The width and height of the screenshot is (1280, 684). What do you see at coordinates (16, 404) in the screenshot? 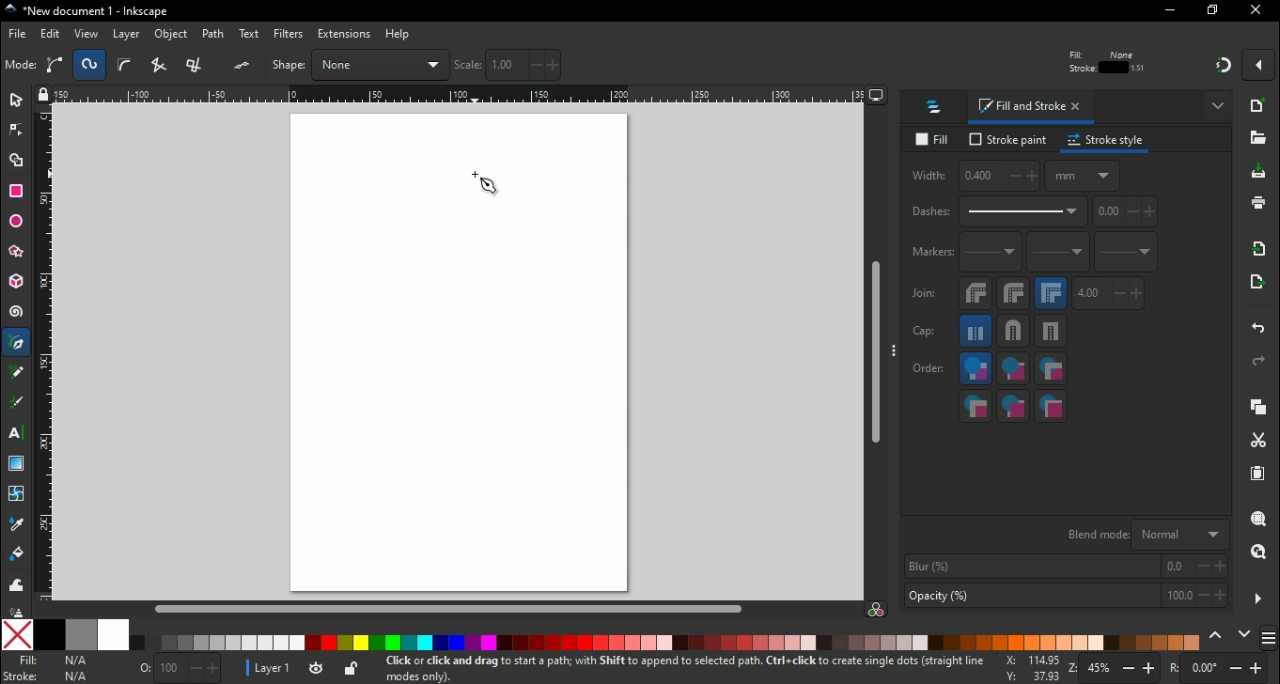
I see `calligraphy tool` at bounding box center [16, 404].